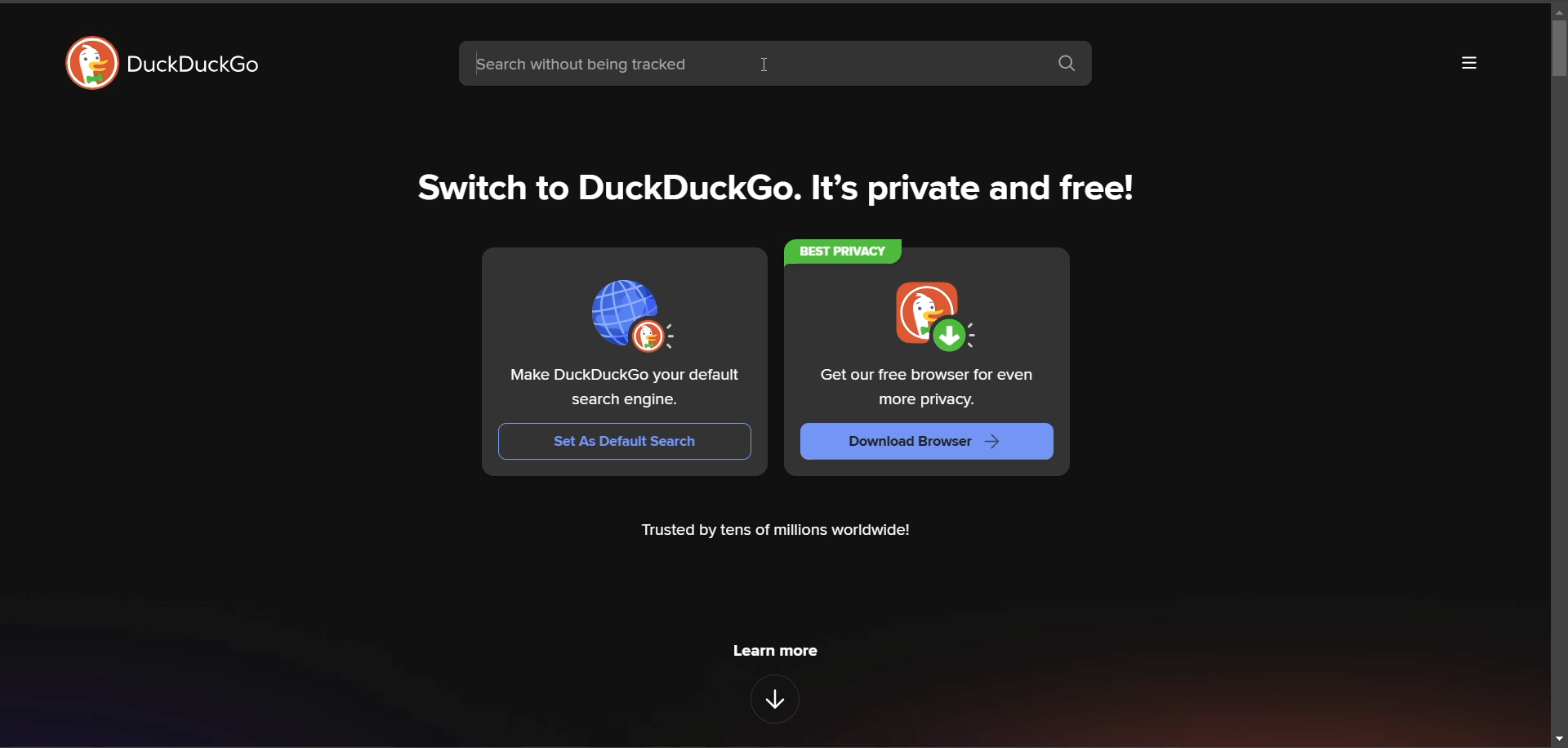  Describe the element at coordinates (203, 65) in the screenshot. I see `duckduckgo title` at that location.